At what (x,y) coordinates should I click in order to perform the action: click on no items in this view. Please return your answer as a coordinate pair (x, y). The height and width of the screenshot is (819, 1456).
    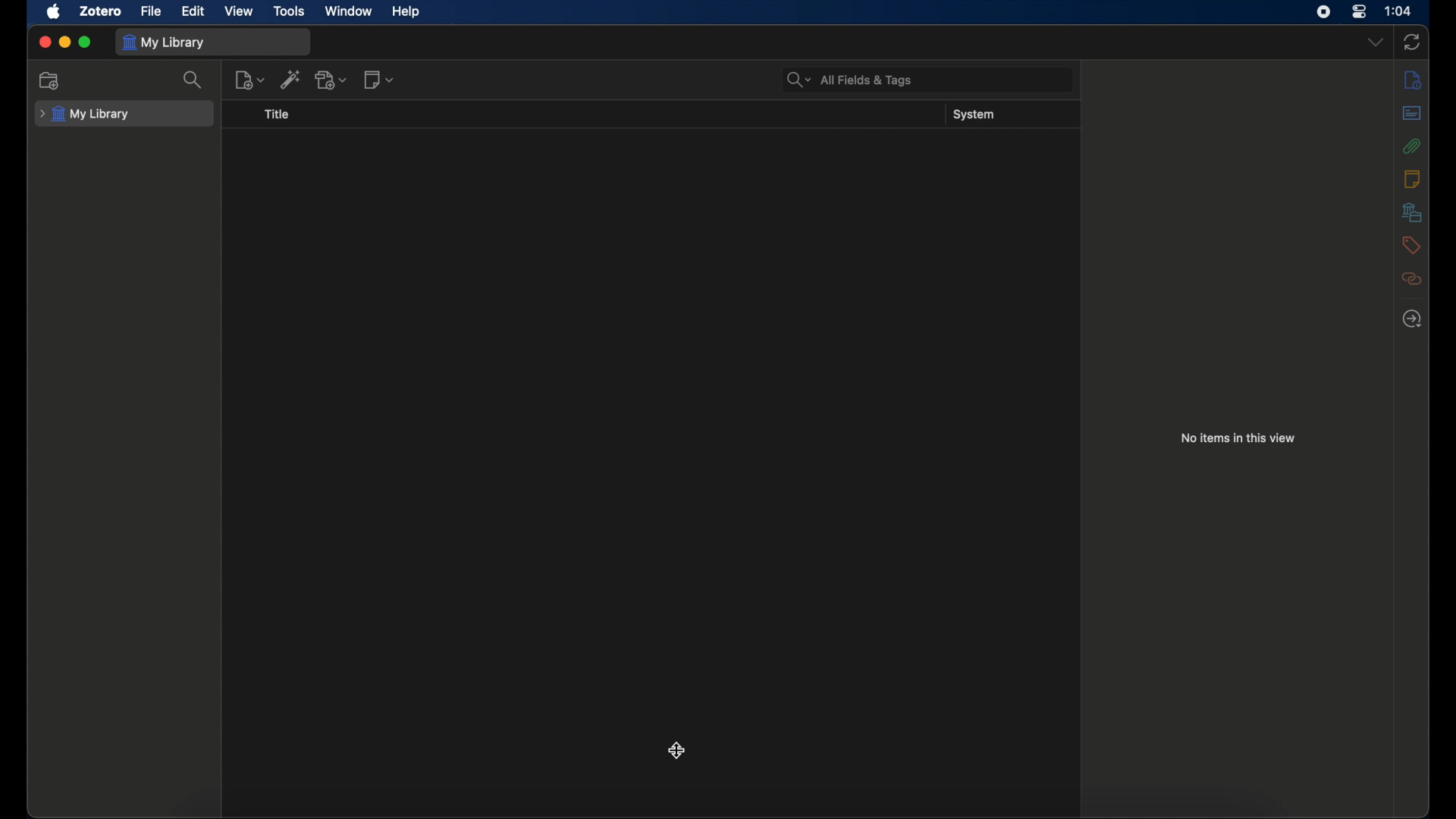
    Looking at the image, I should click on (1238, 437).